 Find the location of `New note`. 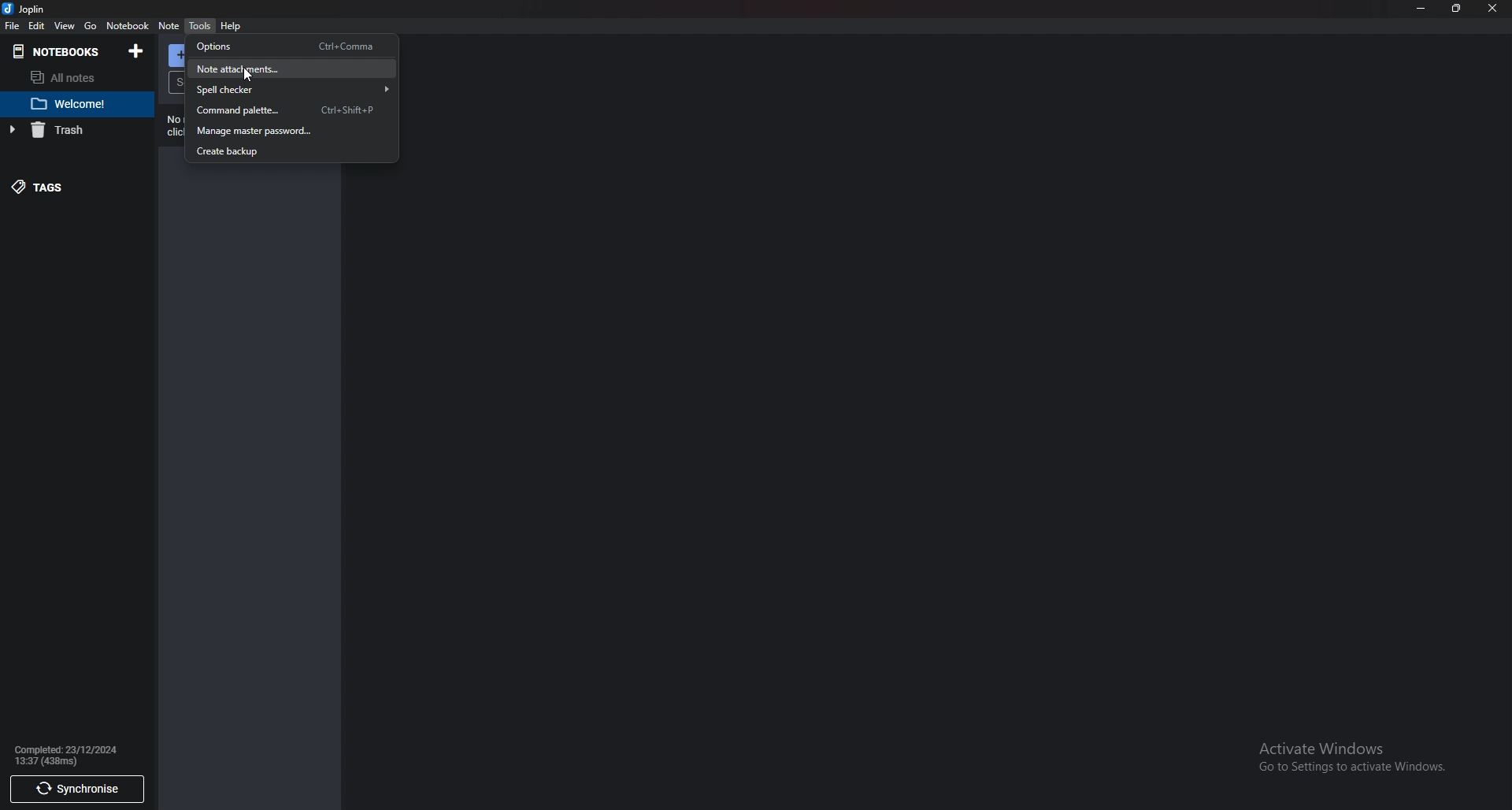

New note is located at coordinates (178, 56).